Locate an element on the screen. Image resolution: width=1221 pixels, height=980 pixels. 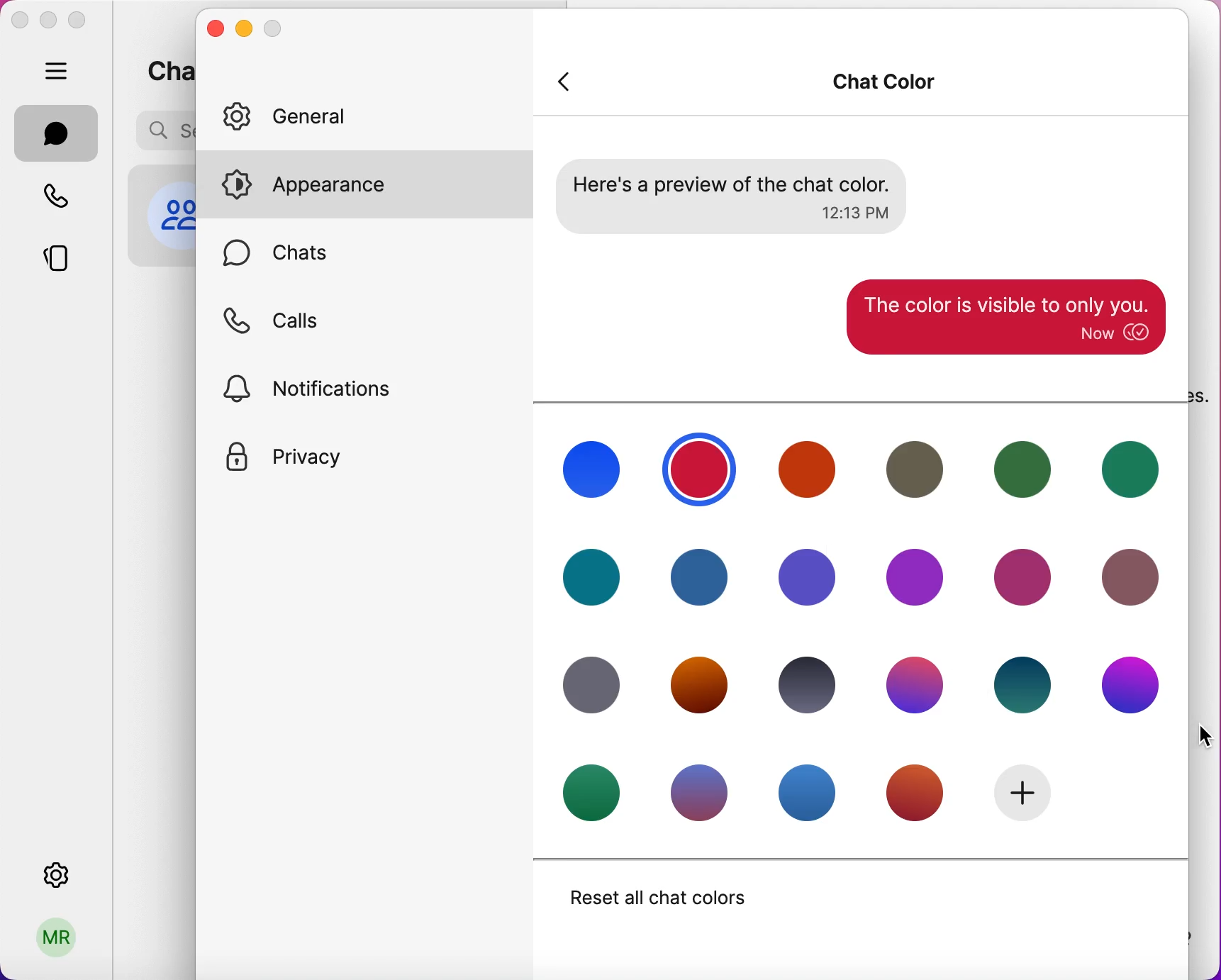
minimize is located at coordinates (245, 30).